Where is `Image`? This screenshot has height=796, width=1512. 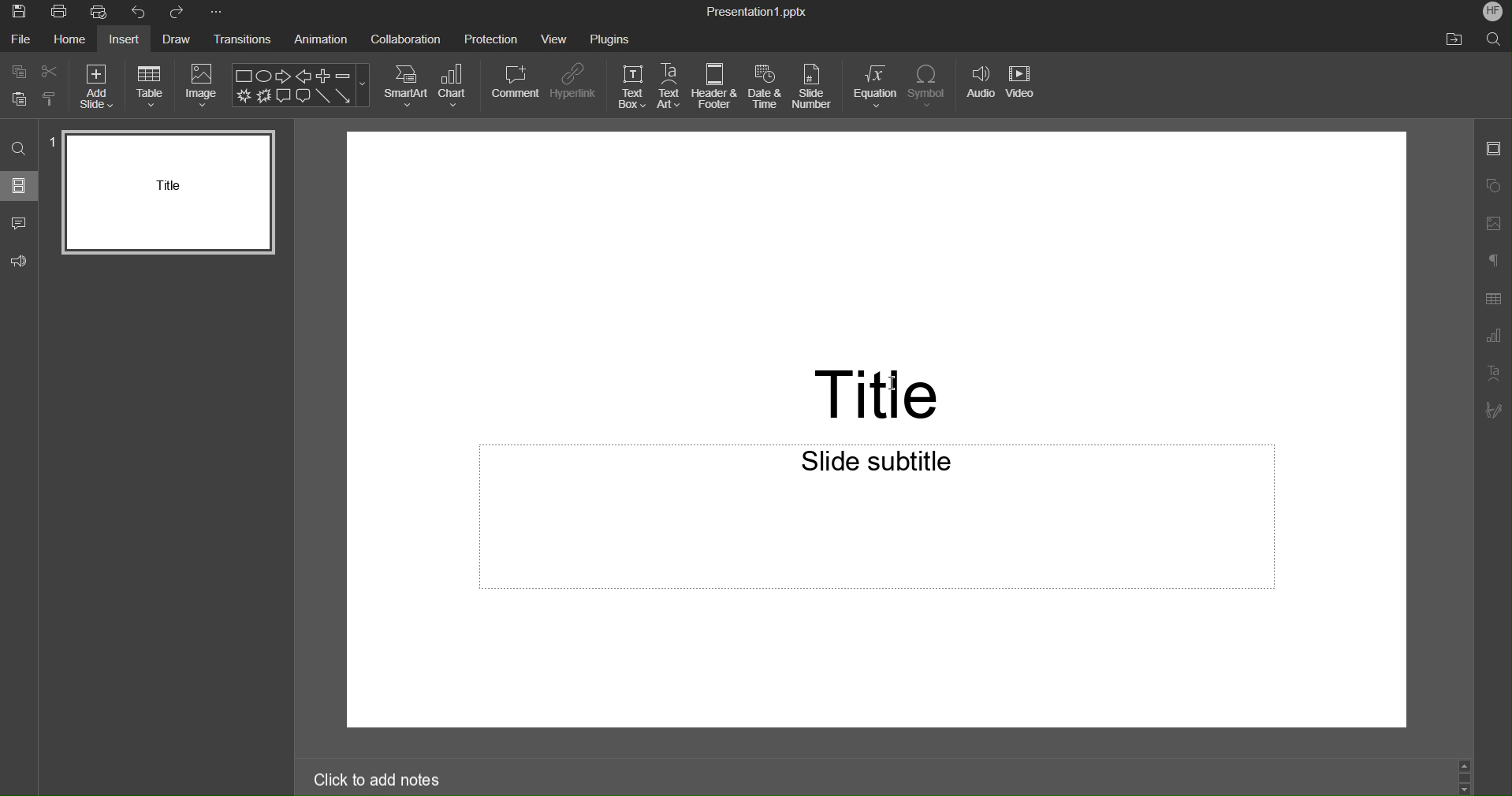
Image is located at coordinates (201, 86).